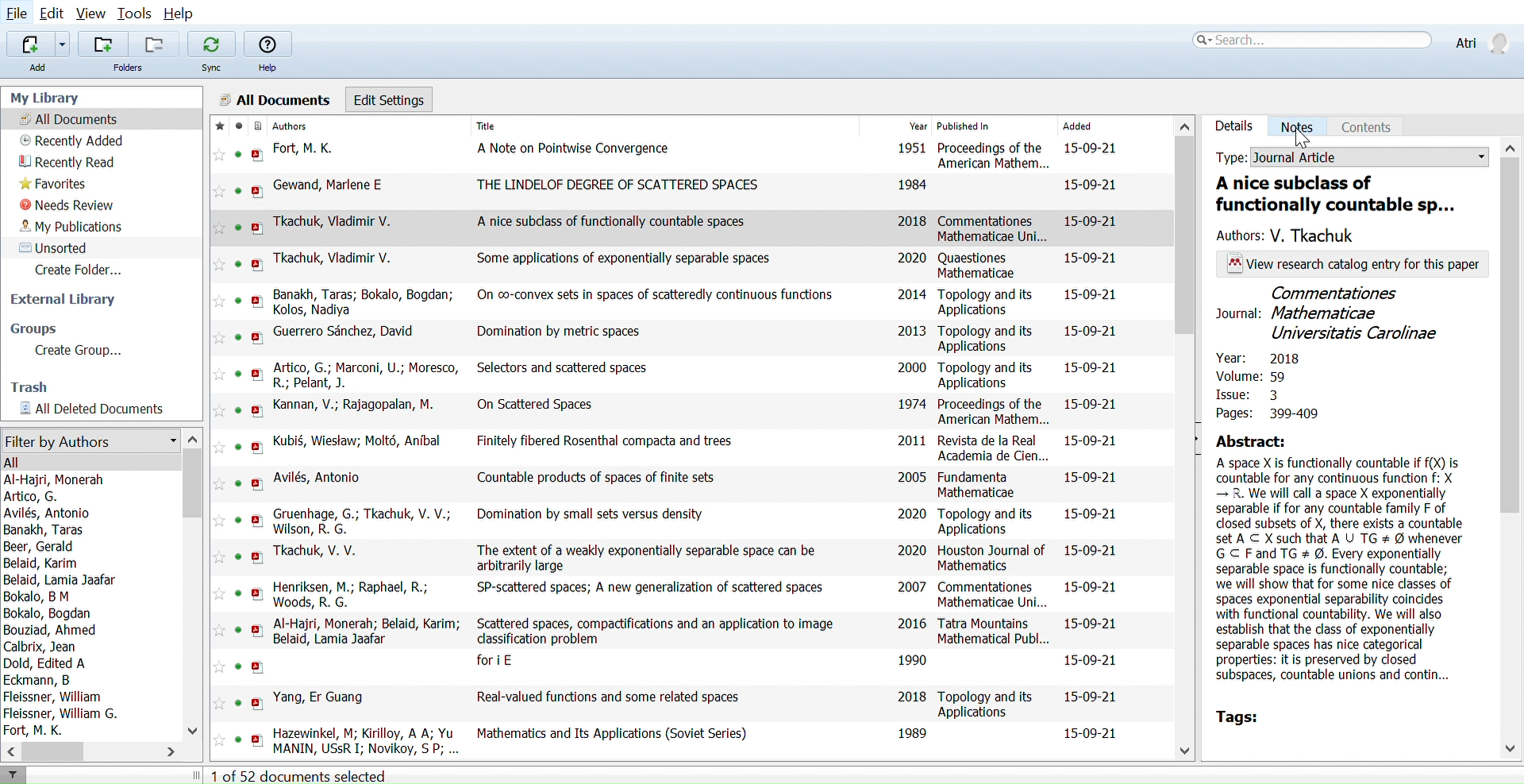  What do you see at coordinates (152, 44) in the screenshot?
I see `Remove folders` at bounding box center [152, 44].